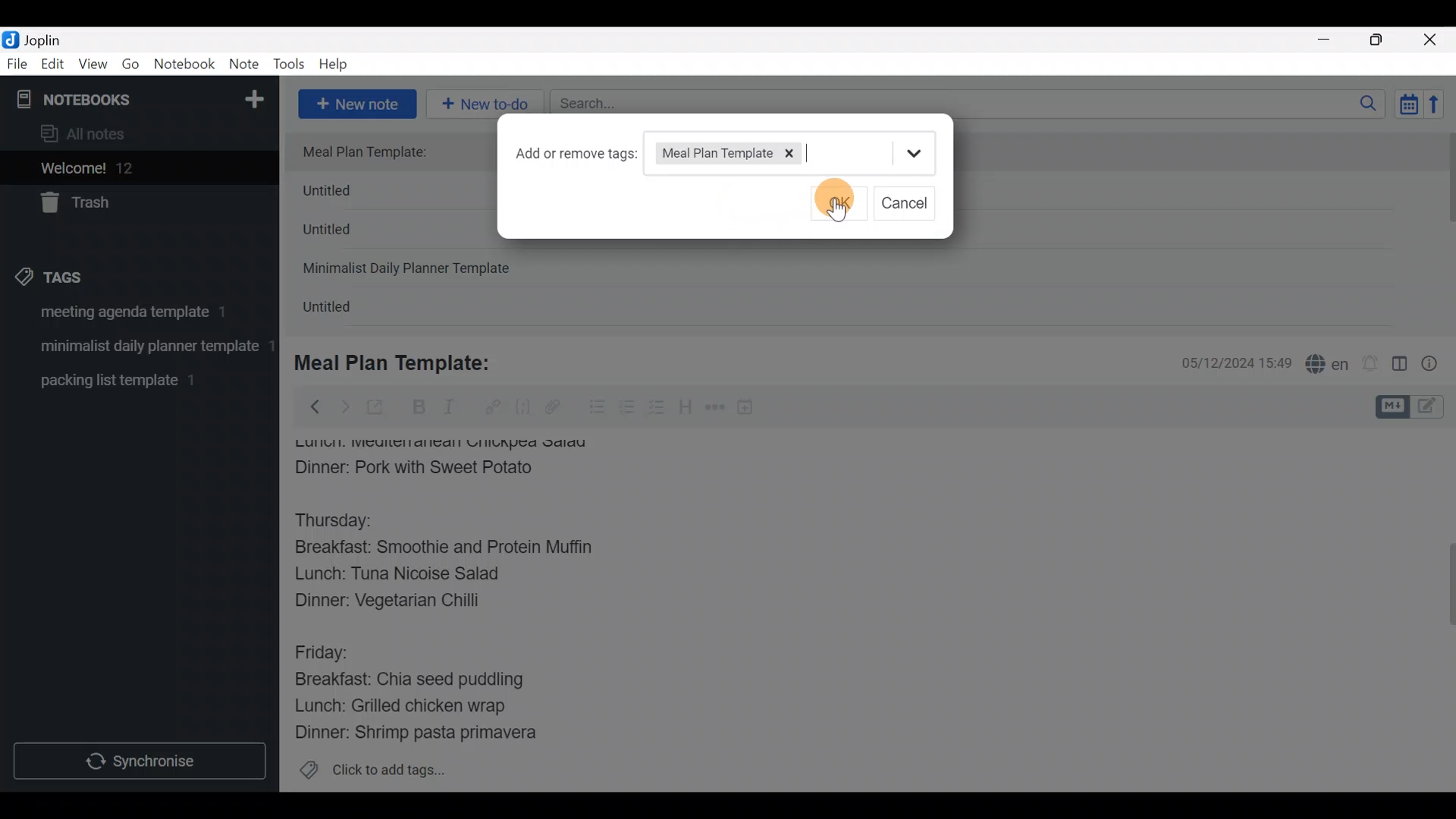  I want to click on Meal Plan Template, so click(711, 152).